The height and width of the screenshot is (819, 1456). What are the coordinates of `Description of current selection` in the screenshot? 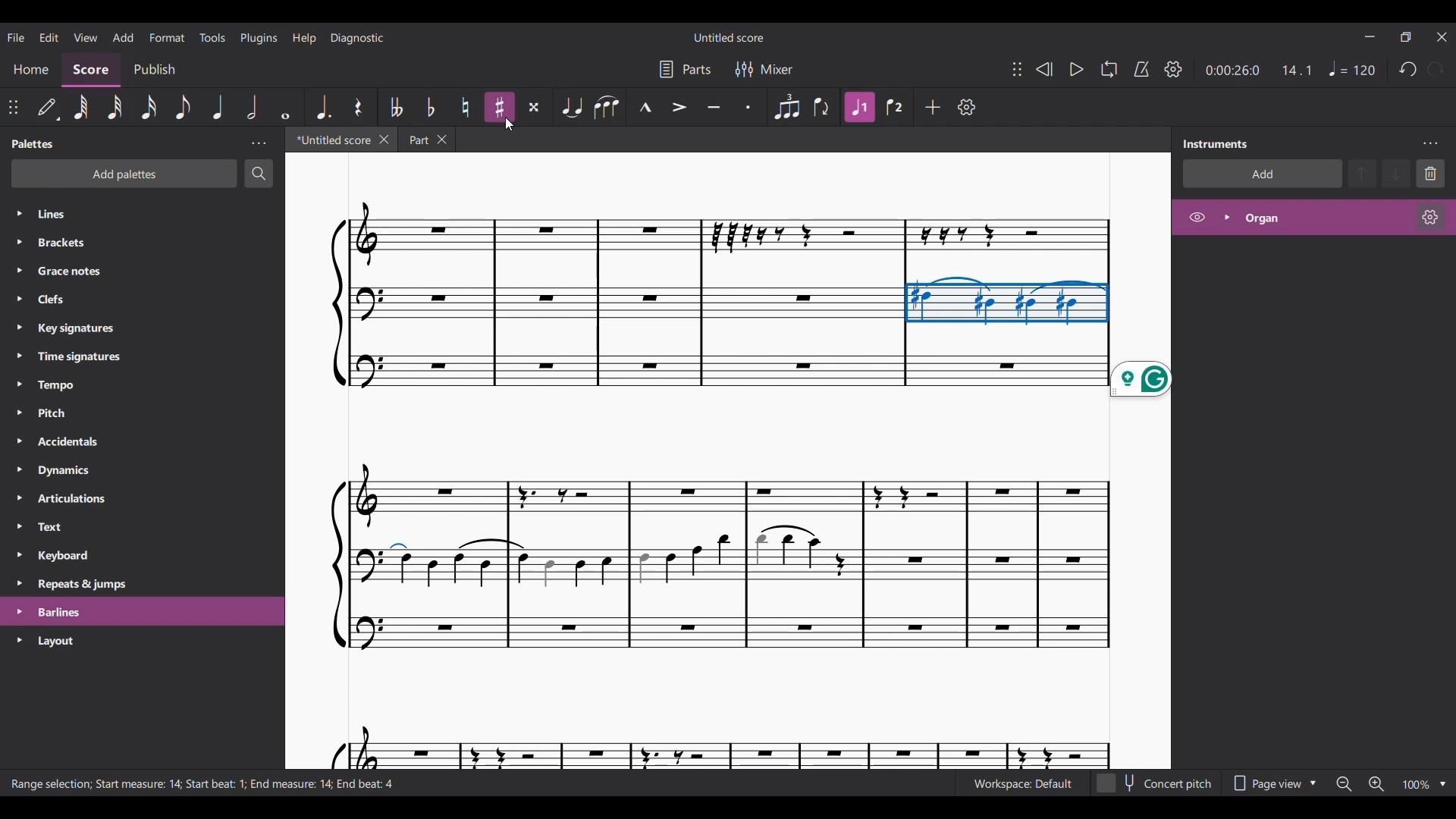 It's located at (204, 783).